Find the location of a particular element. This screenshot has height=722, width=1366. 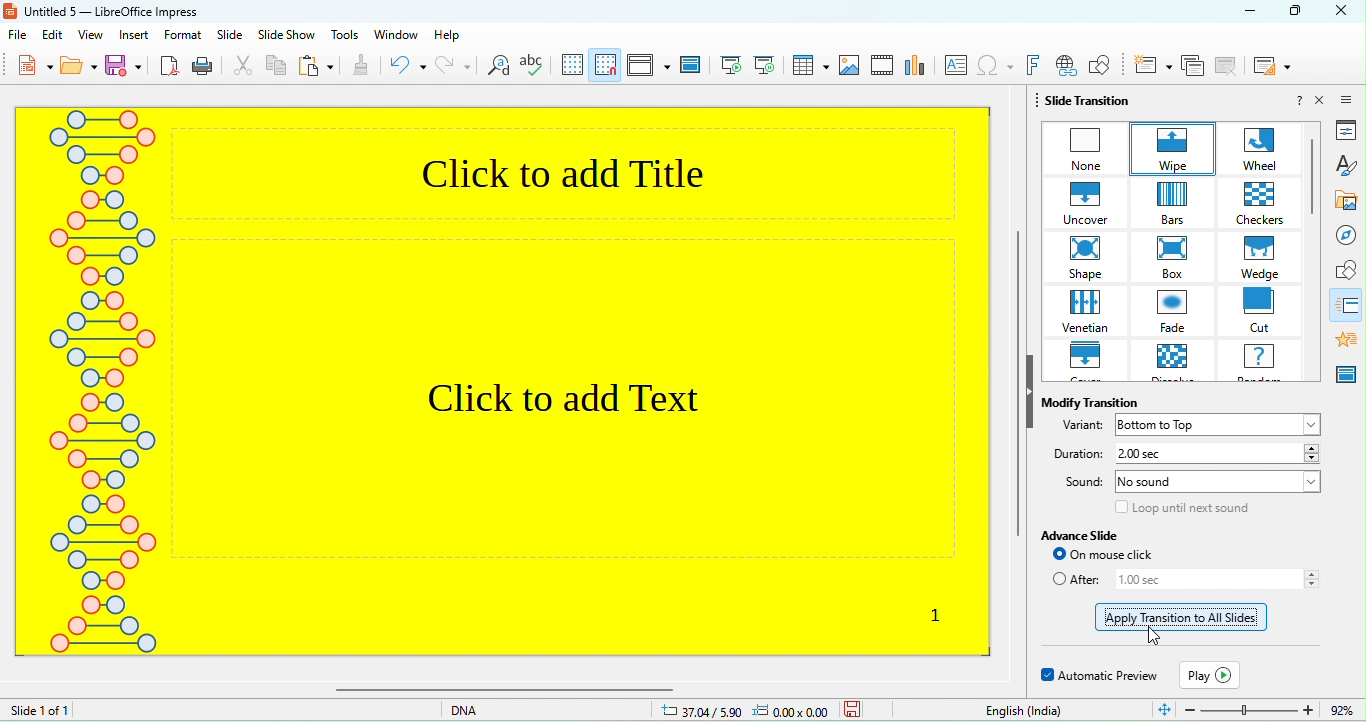

navigator is located at coordinates (1340, 231).